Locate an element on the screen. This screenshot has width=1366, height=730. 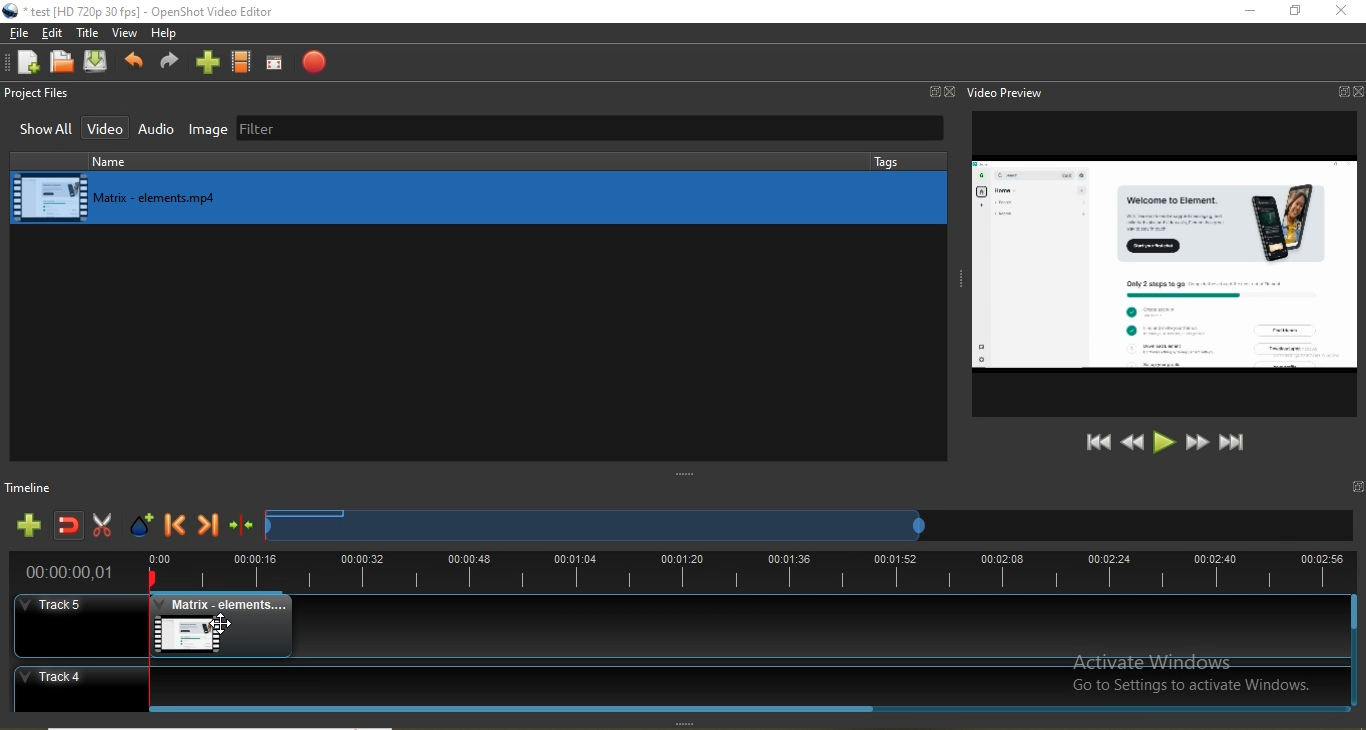
Choose profiles is located at coordinates (242, 62).